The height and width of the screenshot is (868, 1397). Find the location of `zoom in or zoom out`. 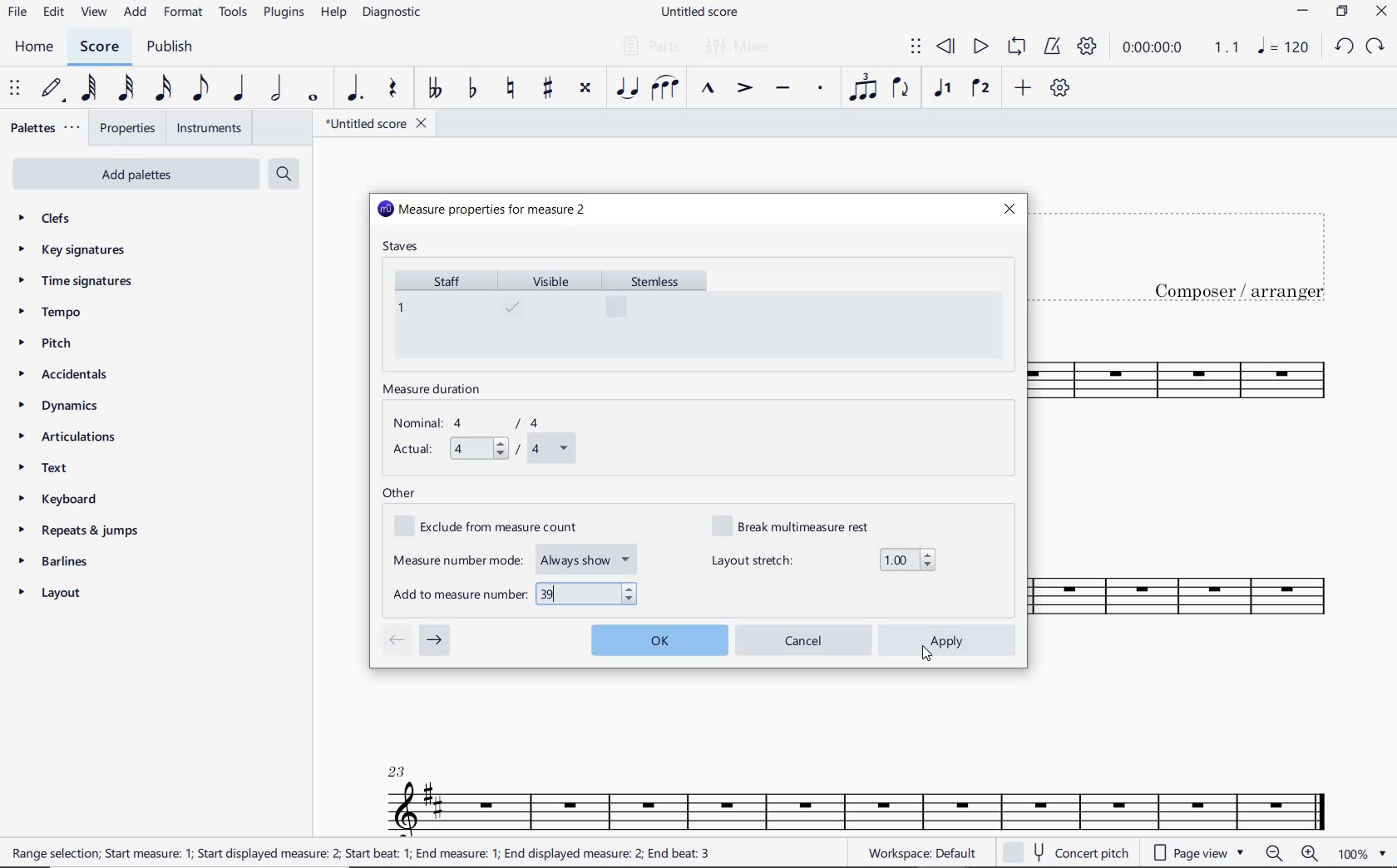

zoom in or zoom out is located at coordinates (1294, 855).